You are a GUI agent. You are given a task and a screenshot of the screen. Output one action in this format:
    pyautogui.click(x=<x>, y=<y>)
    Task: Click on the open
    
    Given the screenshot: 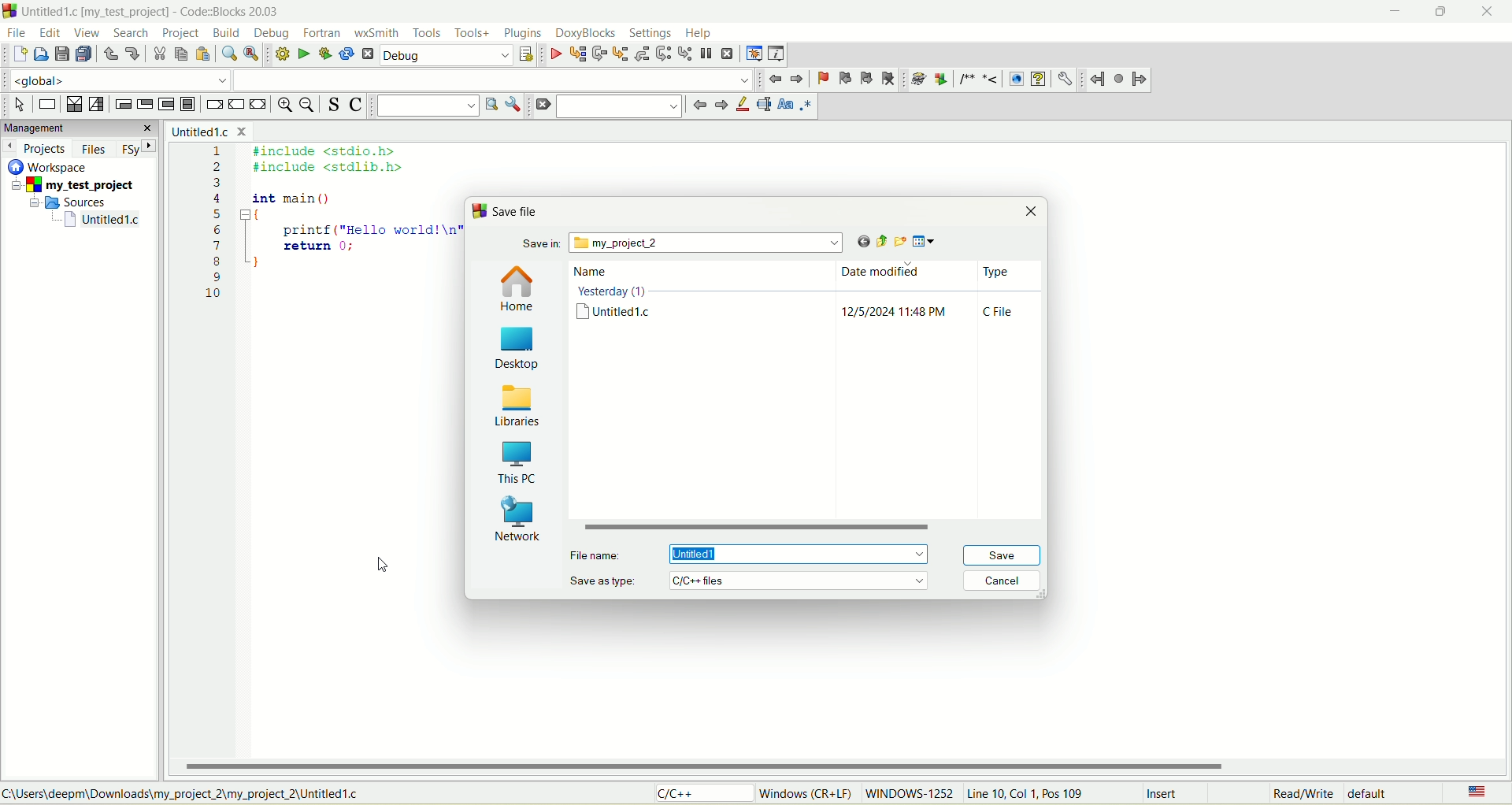 What is the action you would take?
    pyautogui.click(x=42, y=54)
    